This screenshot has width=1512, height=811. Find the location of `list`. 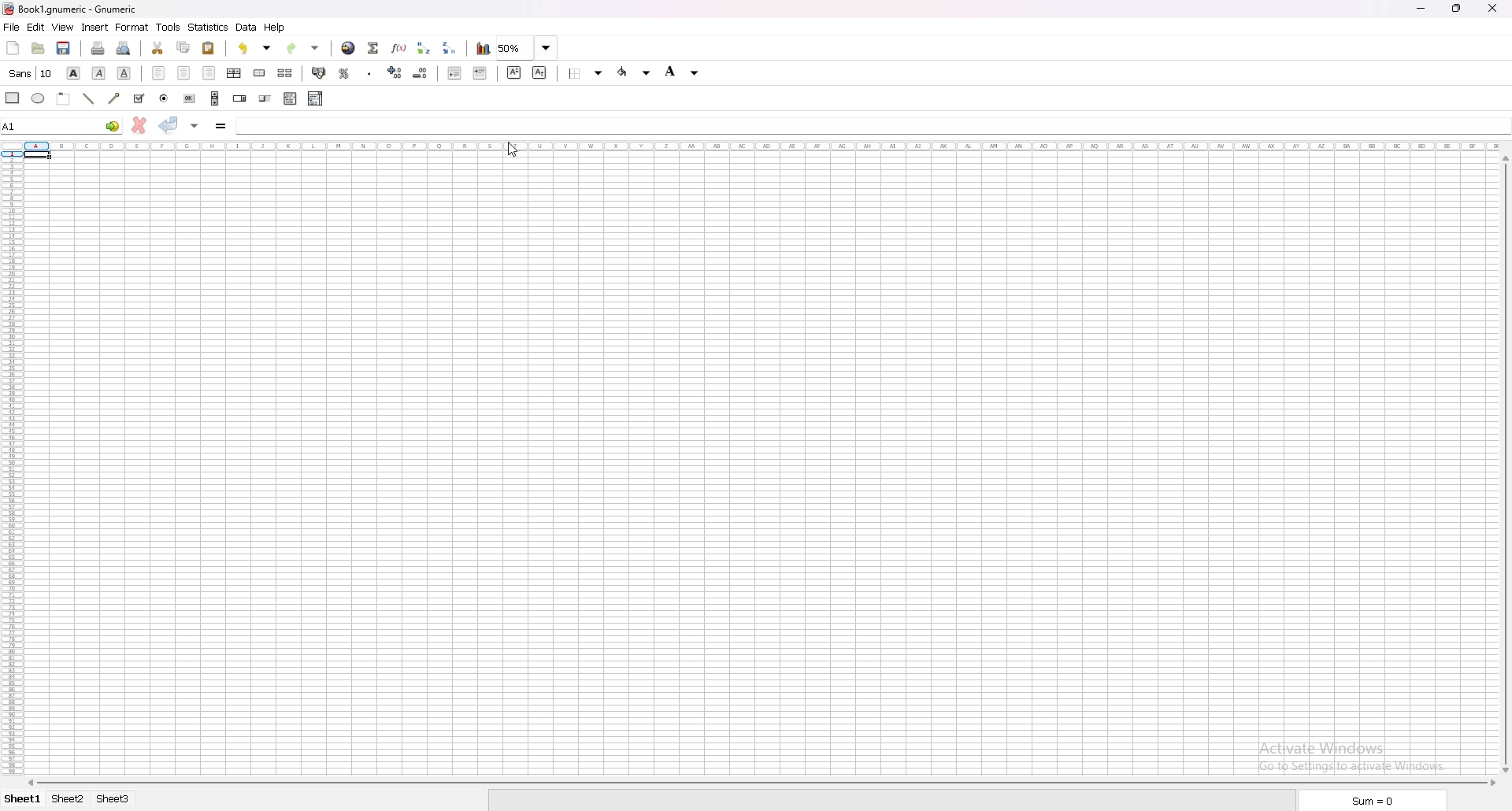

list is located at coordinates (291, 98).